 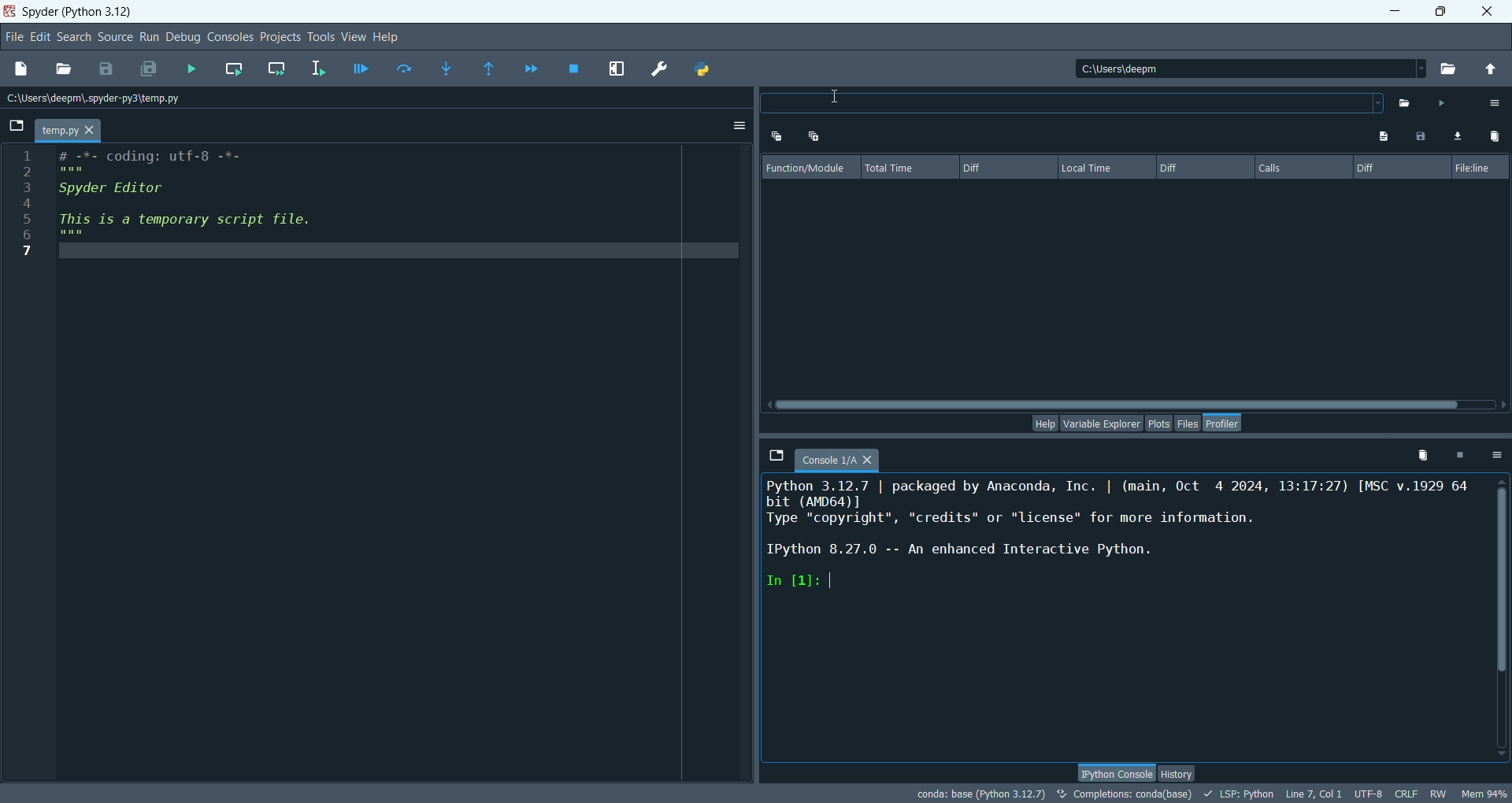 What do you see at coordinates (116, 38) in the screenshot?
I see `sources` at bounding box center [116, 38].